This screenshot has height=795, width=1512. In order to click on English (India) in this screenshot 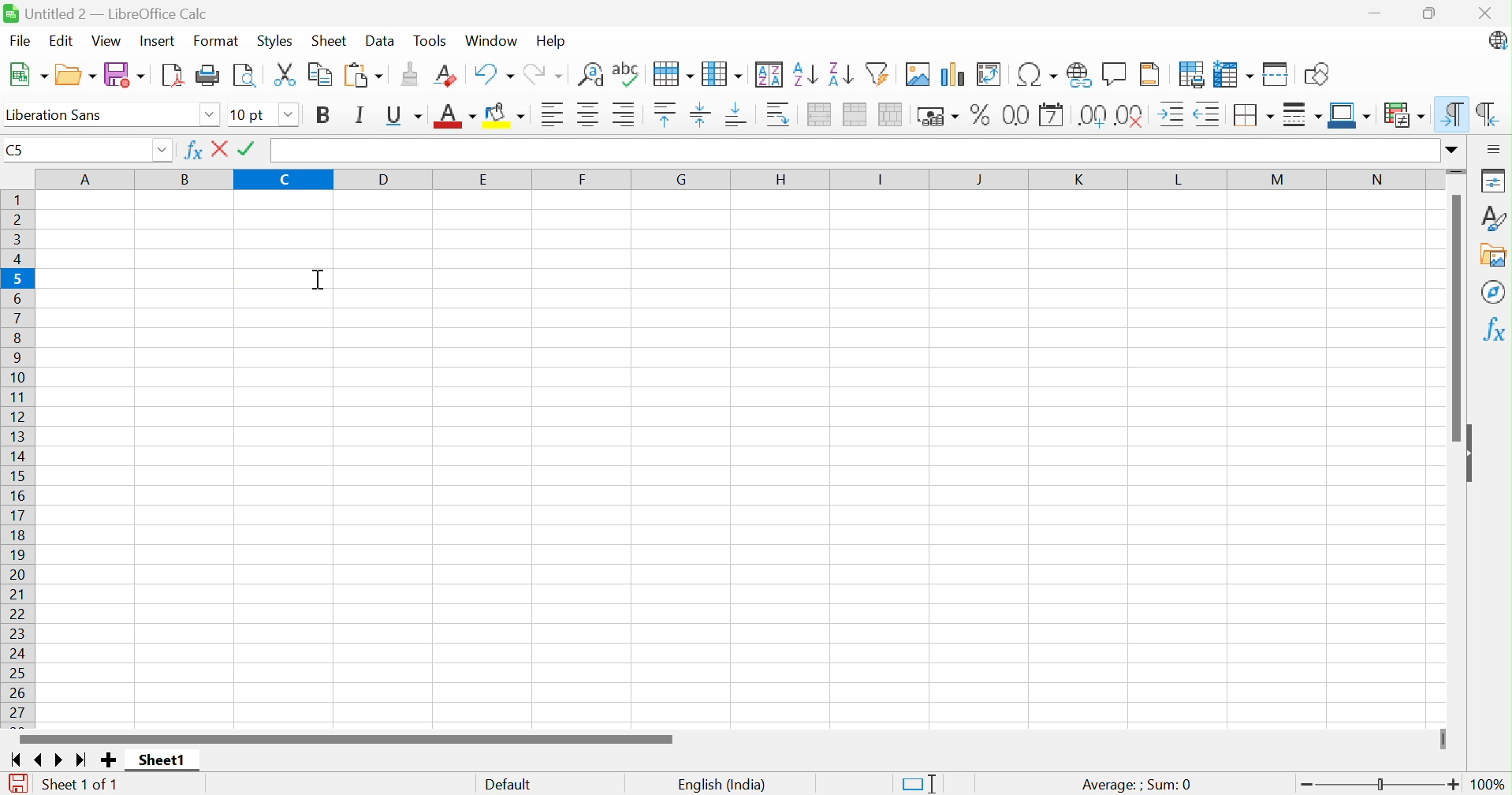, I will do `click(722, 786)`.